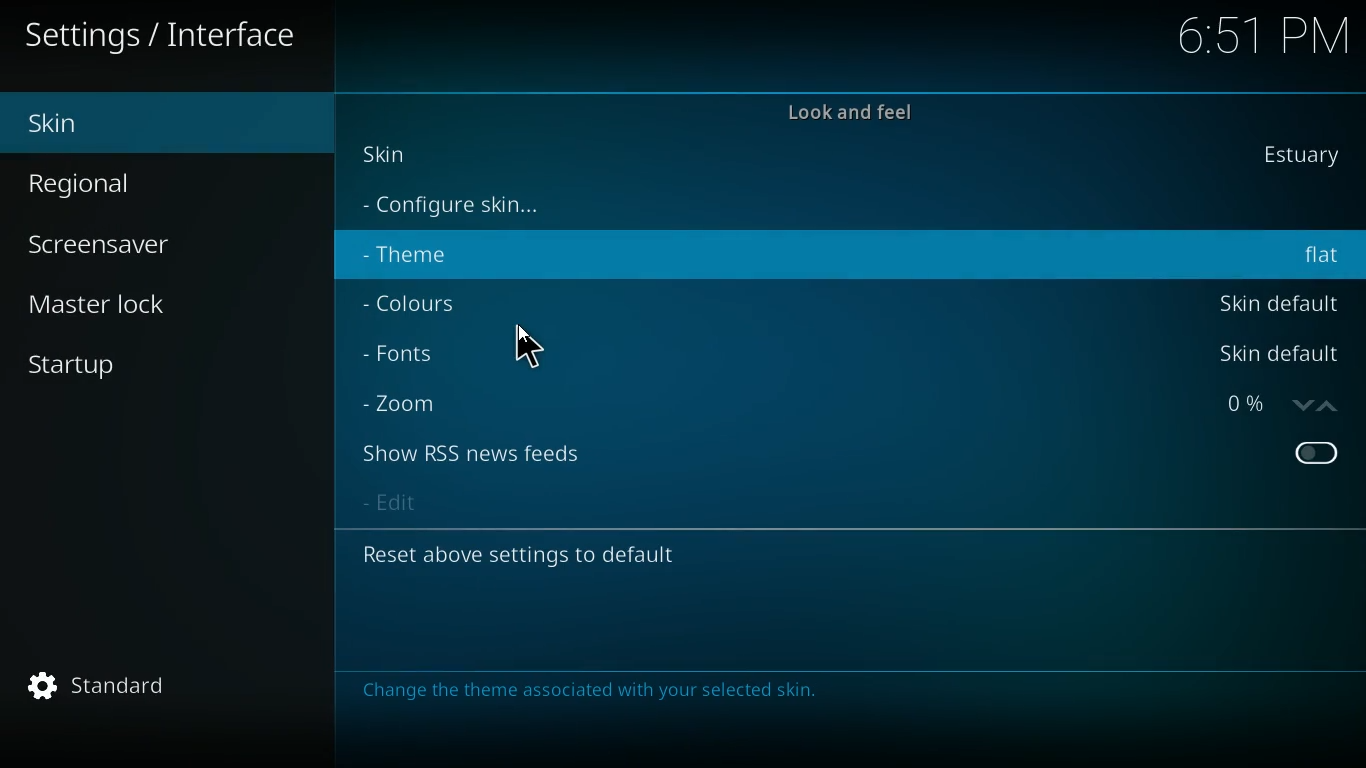 Image resolution: width=1366 pixels, height=768 pixels. I want to click on theme, so click(421, 258).